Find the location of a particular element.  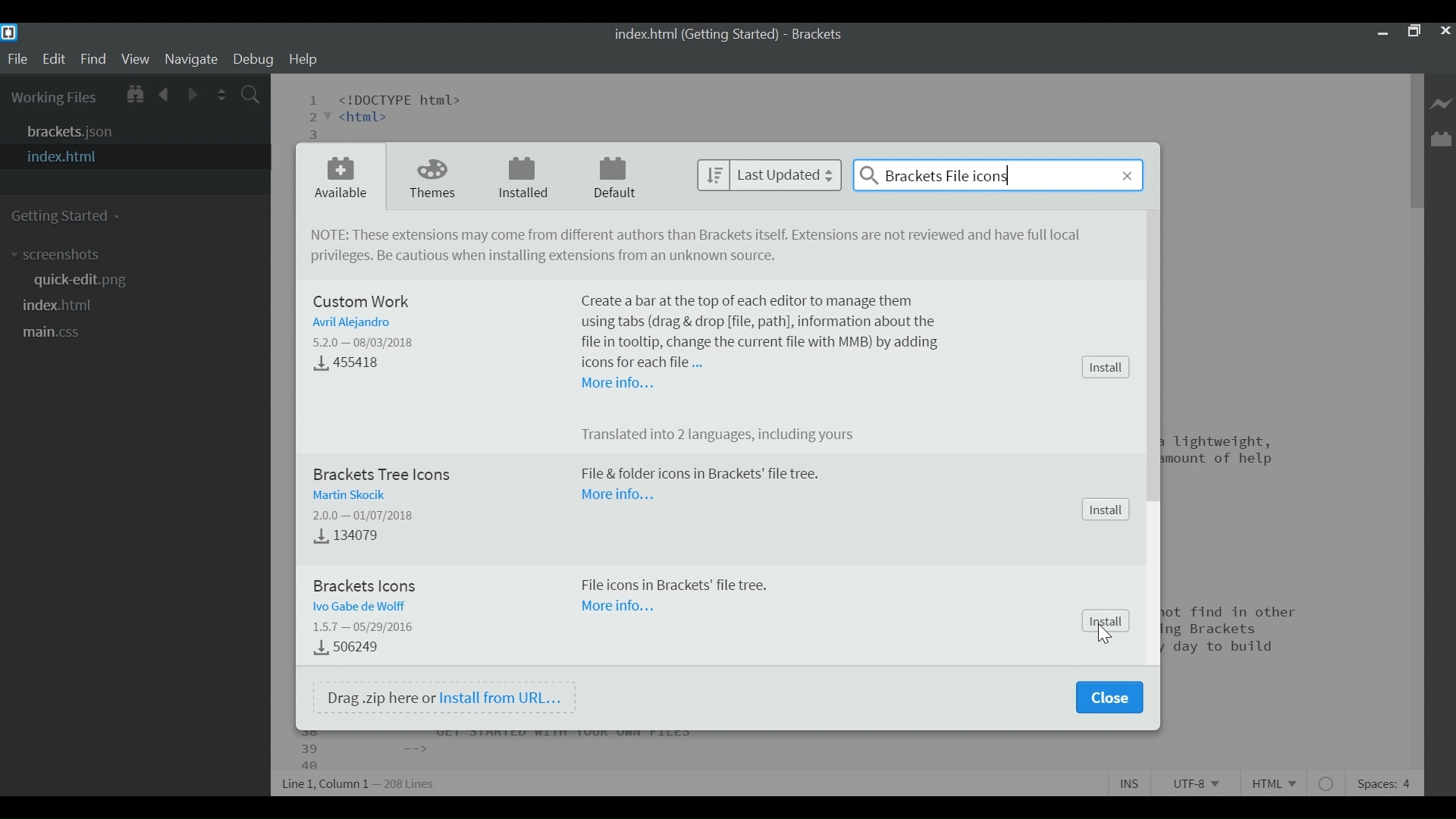

Installed is located at coordinates (522, 178).